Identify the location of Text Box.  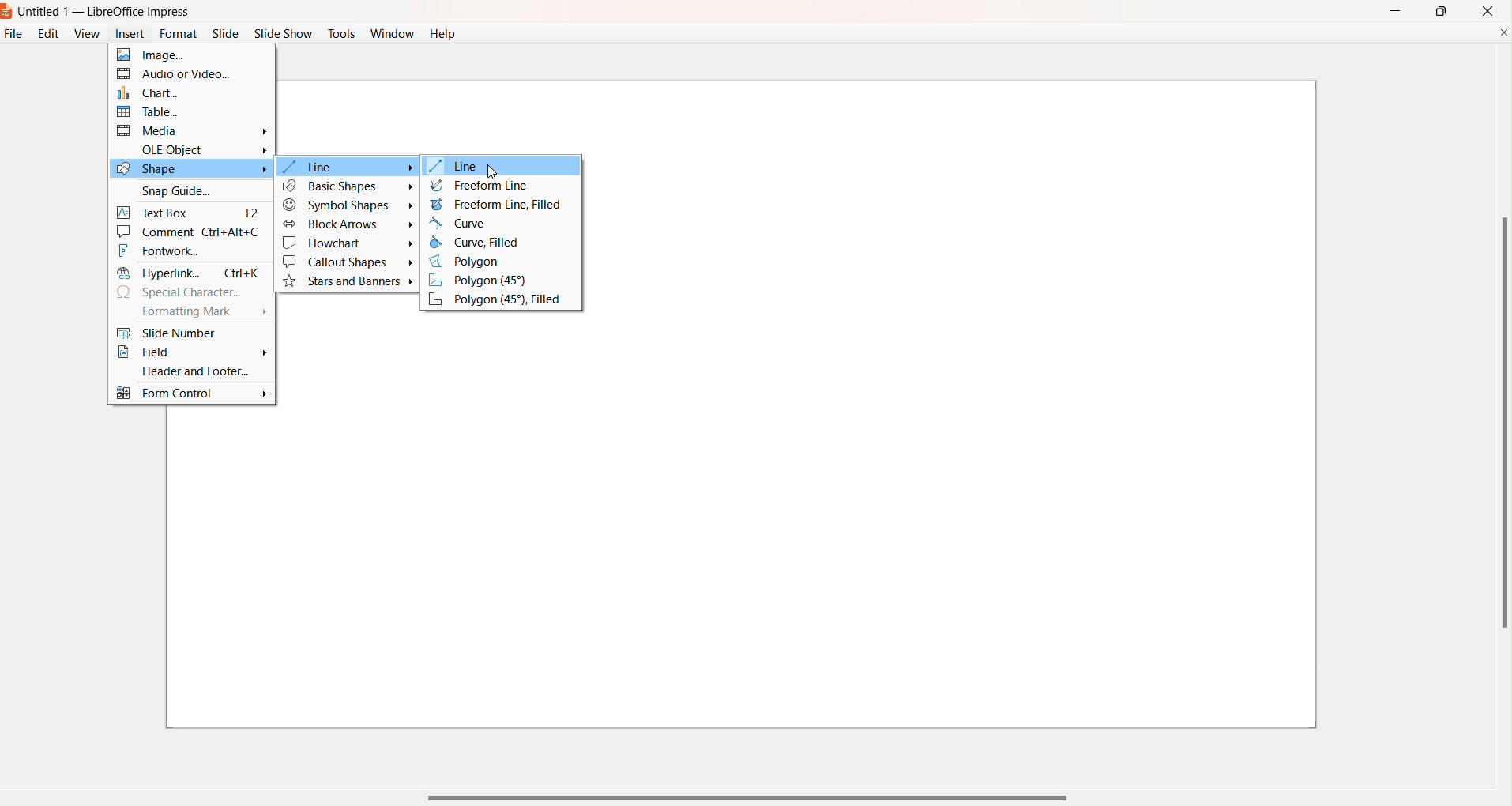
(190, 210).